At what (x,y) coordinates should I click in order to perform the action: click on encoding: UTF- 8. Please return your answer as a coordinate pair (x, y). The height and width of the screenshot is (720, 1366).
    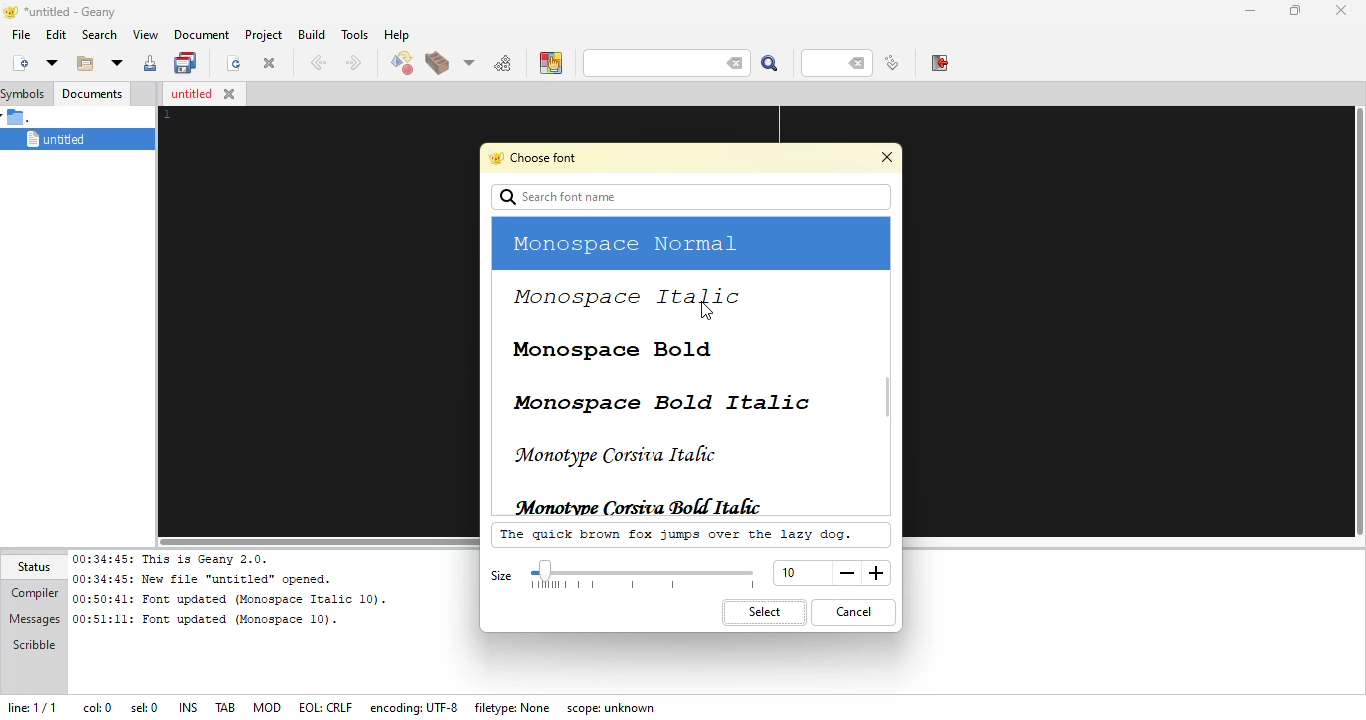
    Looking at the image, I should click on (417, 707).